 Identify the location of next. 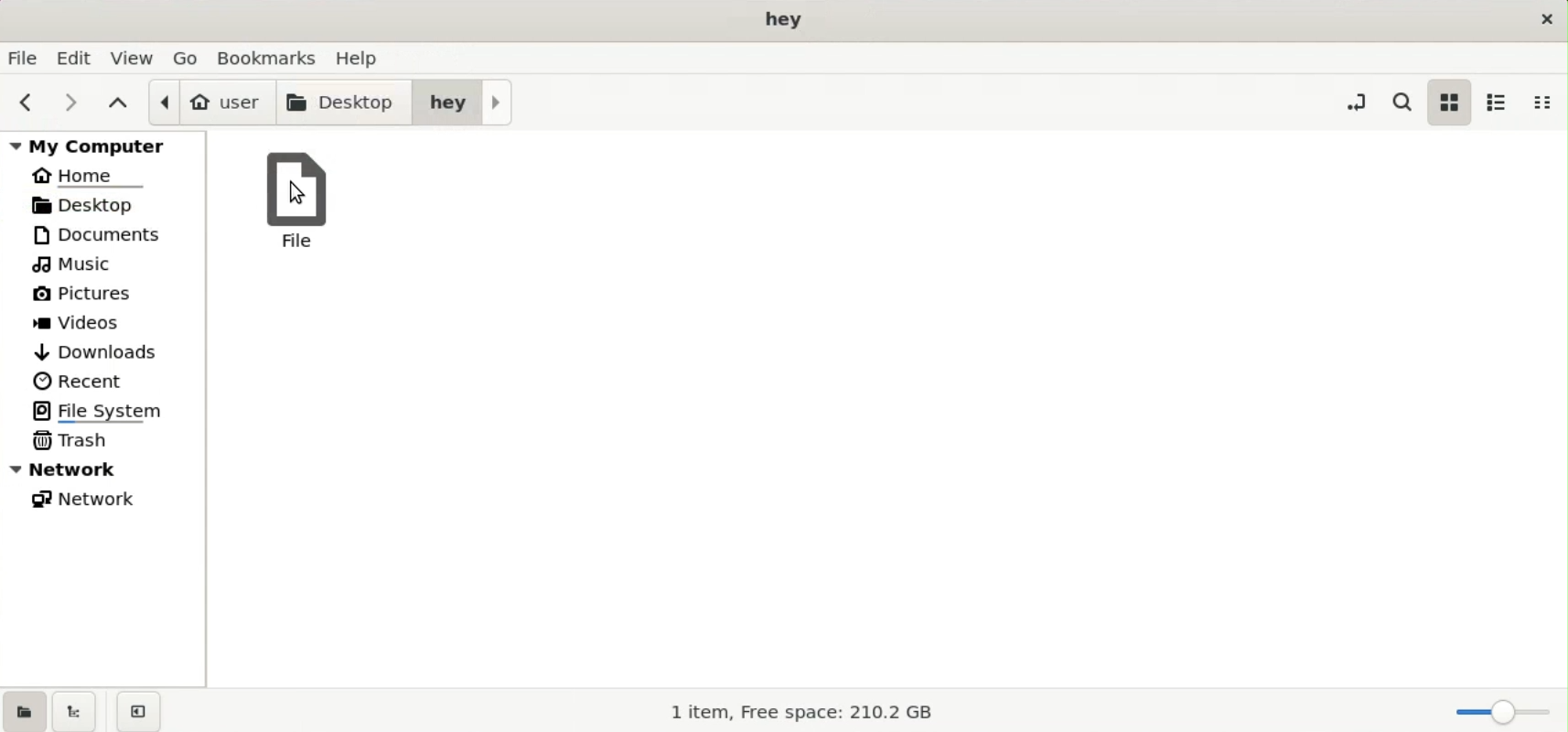
(65, 102).